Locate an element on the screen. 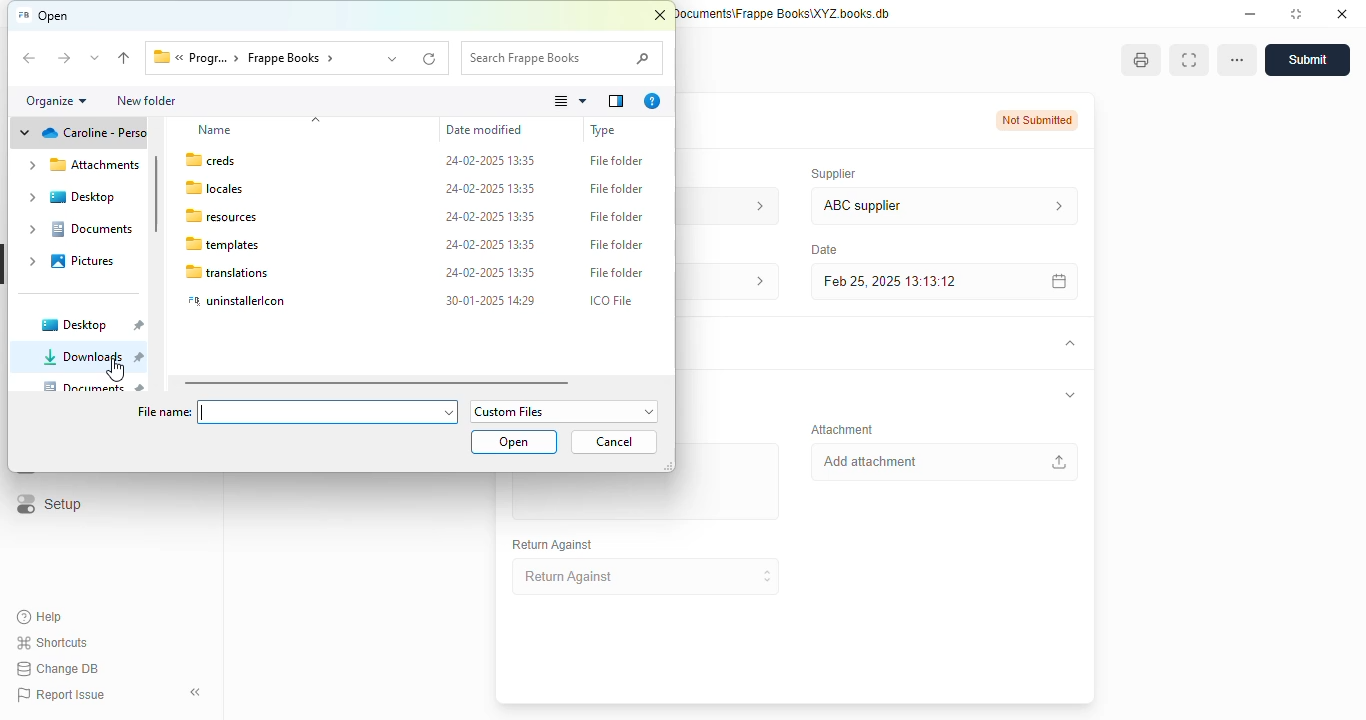  uninstallerIcon is located at coordinates (238, 301).